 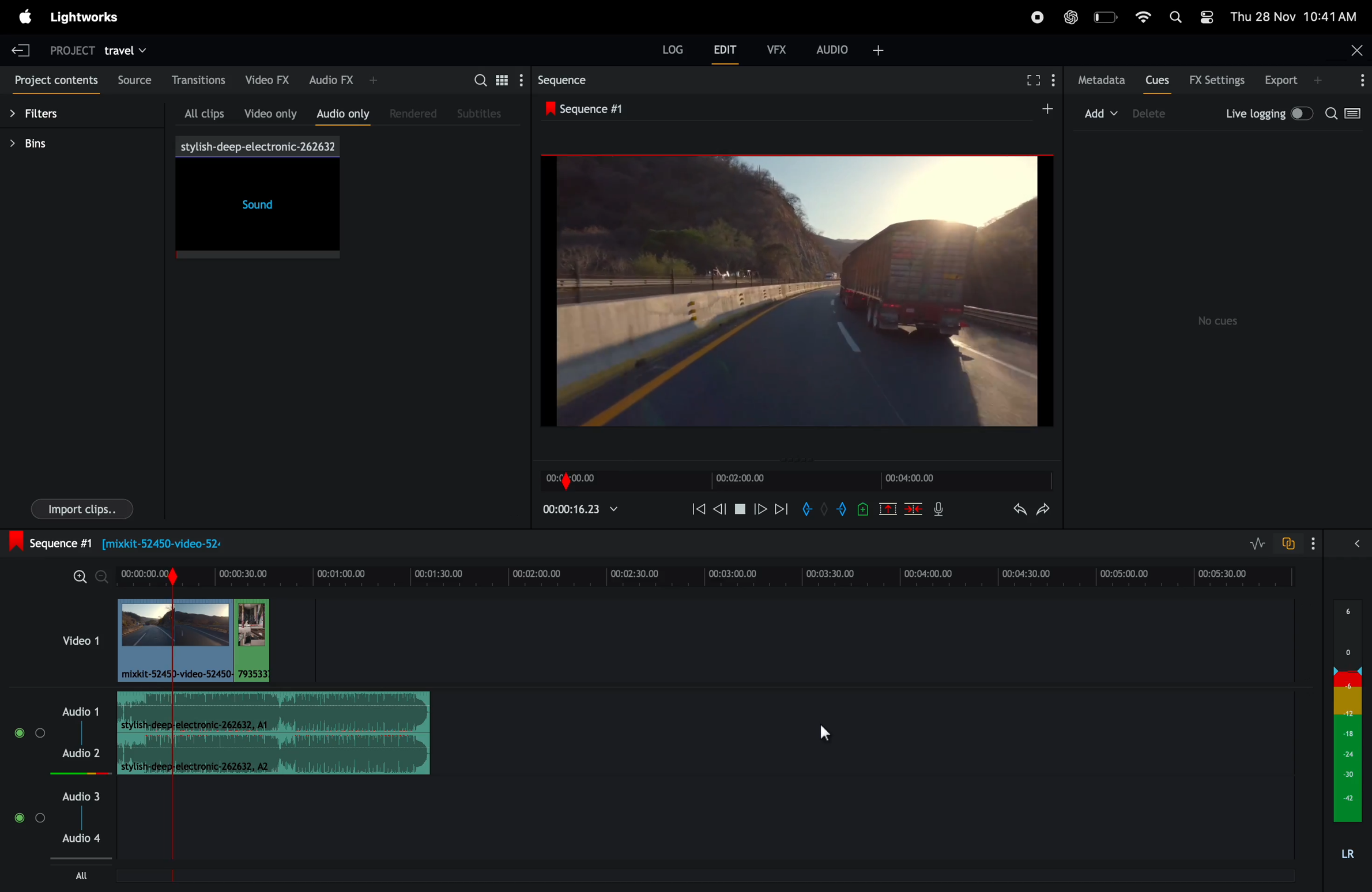 I want to click on Audio 2, so click(x=84, y=755).